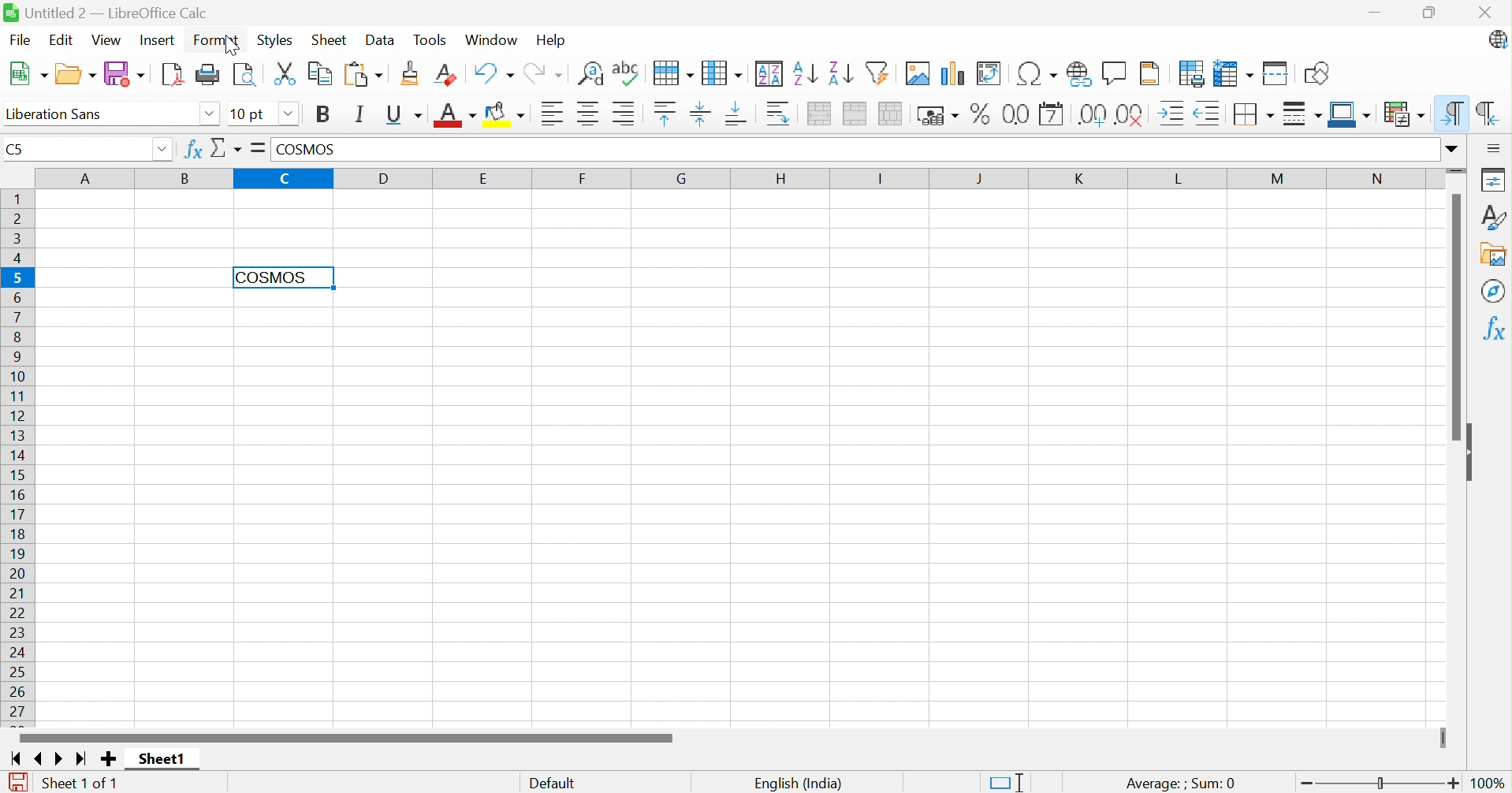 Image resolution: width=1512 pixels, height=793 pixels. What do you see at coordinates (412, 76) in the screenshot?
I see `Clone Formatting` at bounding box center [412, 76].